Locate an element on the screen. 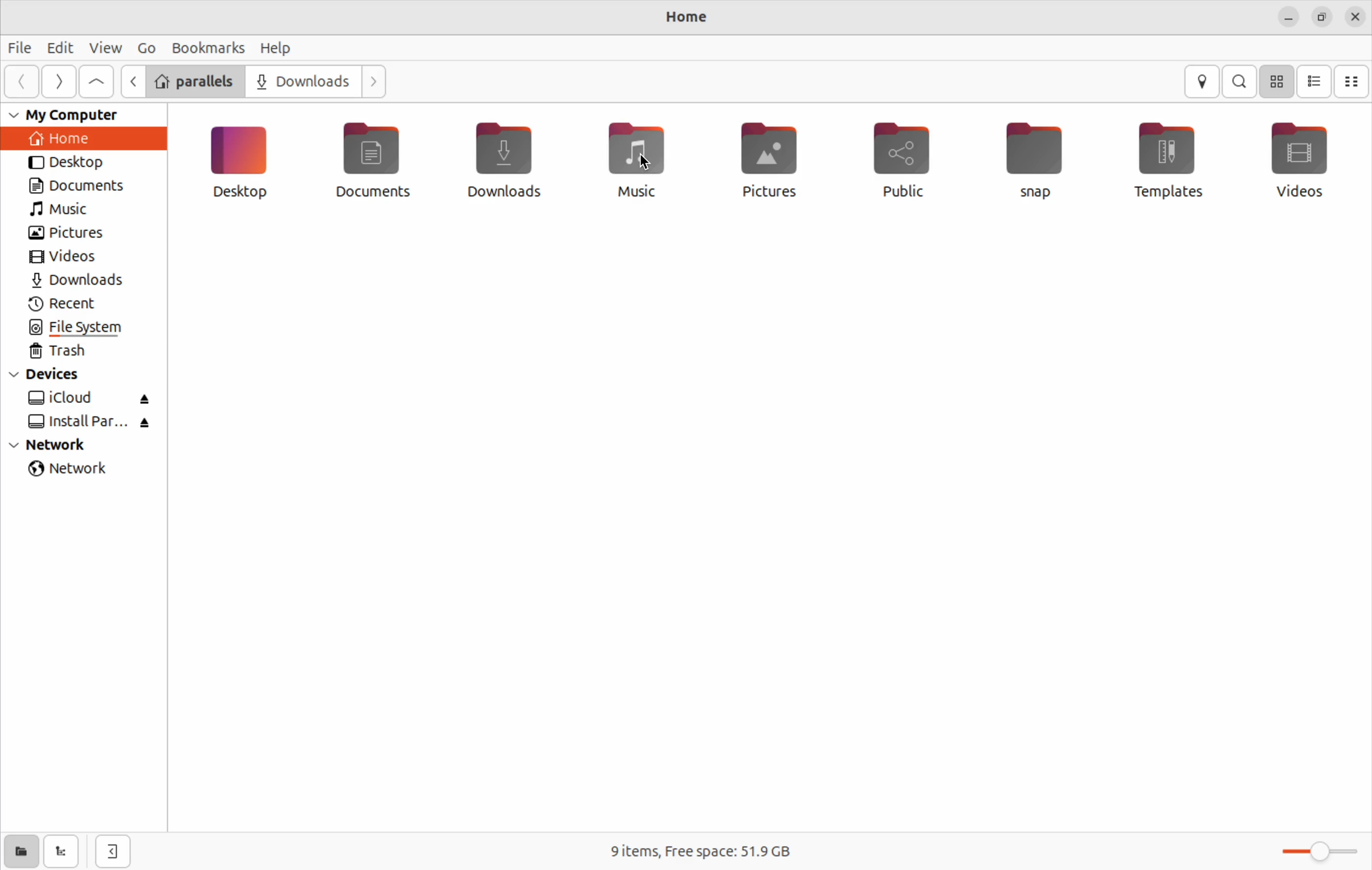  upward is located at coordinates (97, 81).